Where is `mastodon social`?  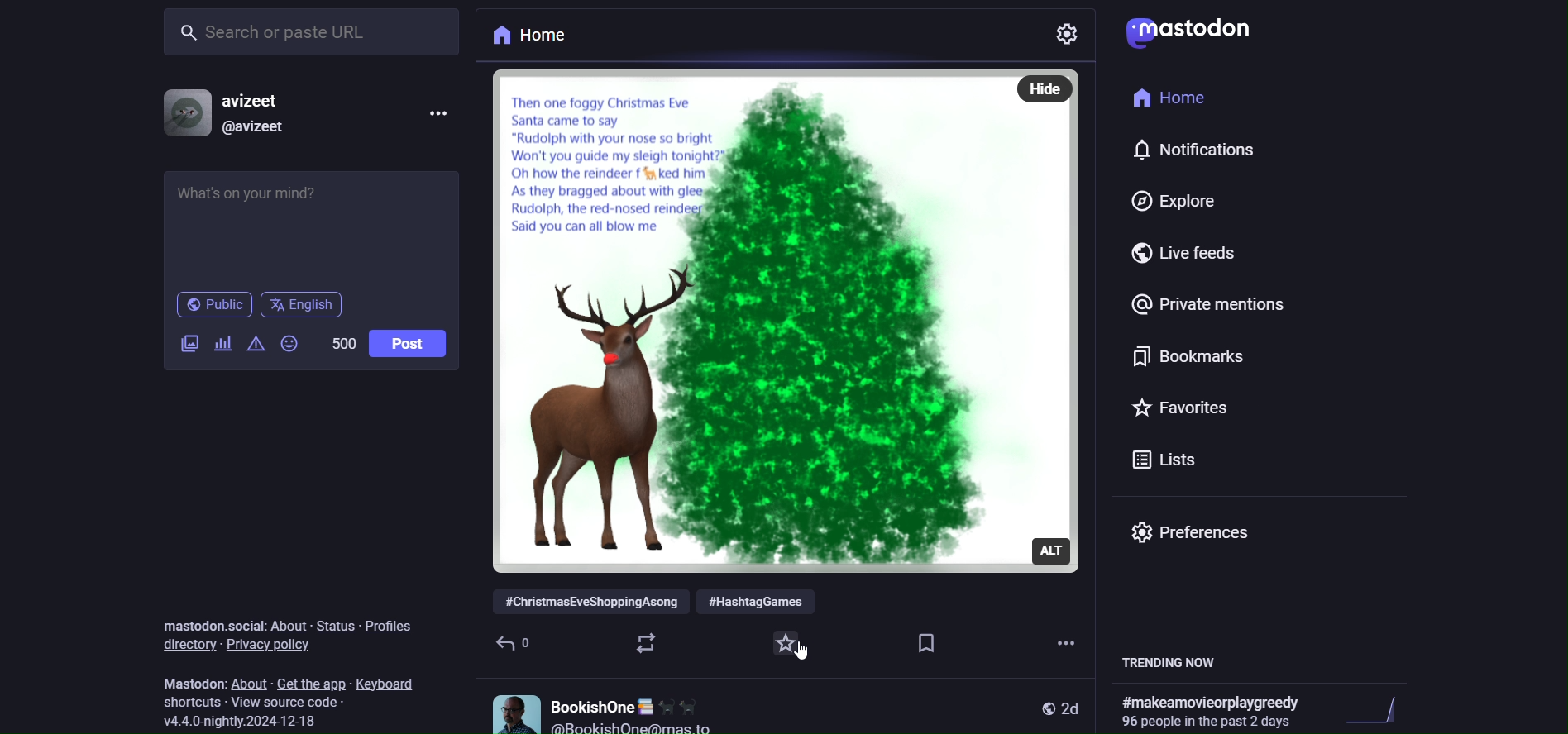
mastodon social is located at coordinates (213, 614).